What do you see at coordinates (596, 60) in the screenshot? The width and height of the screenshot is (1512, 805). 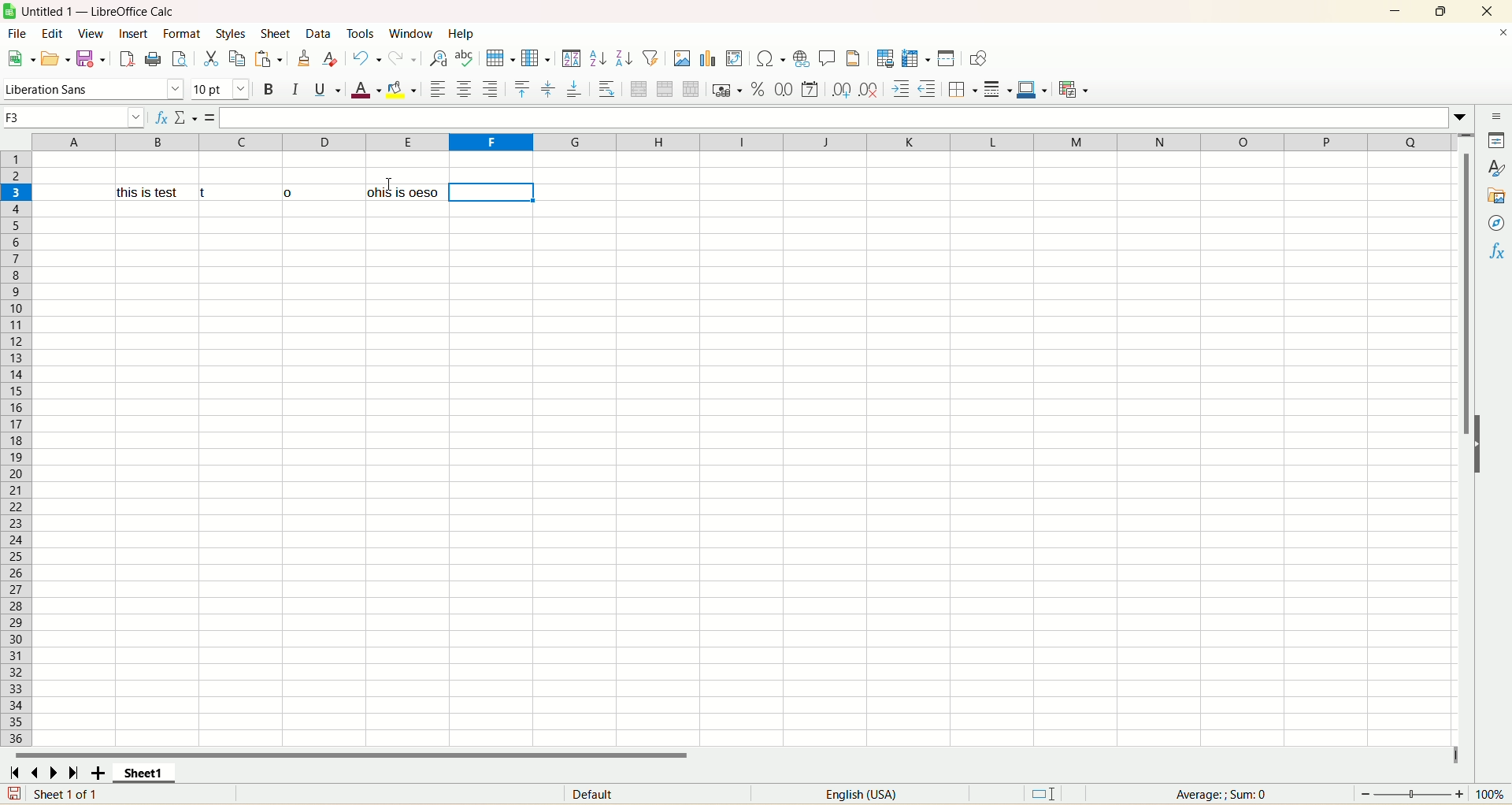 I see `sort ascending` at bounding box center [596, 60].